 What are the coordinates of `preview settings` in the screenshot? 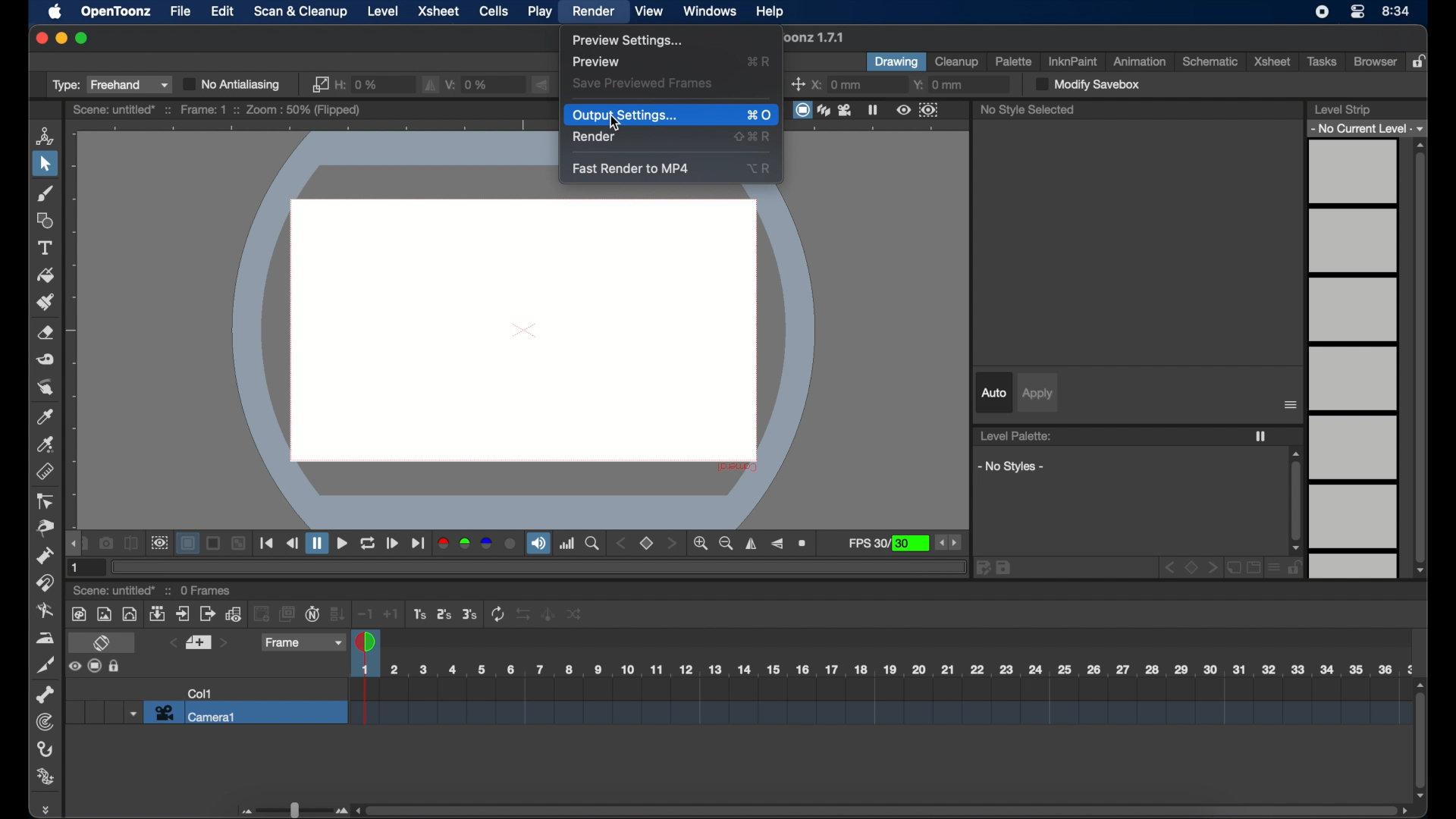 It's located at (629, 40).